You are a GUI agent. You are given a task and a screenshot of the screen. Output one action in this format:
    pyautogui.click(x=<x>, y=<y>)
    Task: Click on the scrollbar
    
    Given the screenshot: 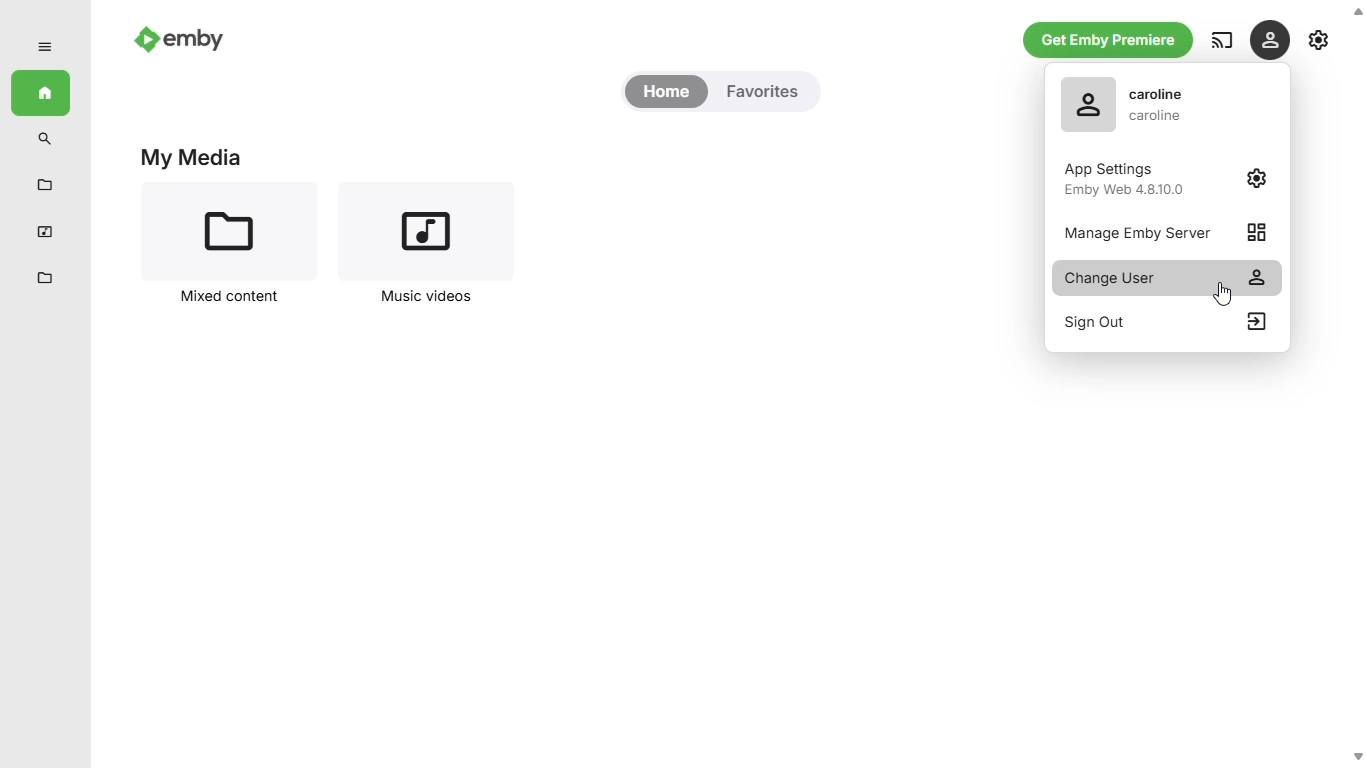 What is the action you would take?
    pyautogui.click(x=1355, y=383)
    